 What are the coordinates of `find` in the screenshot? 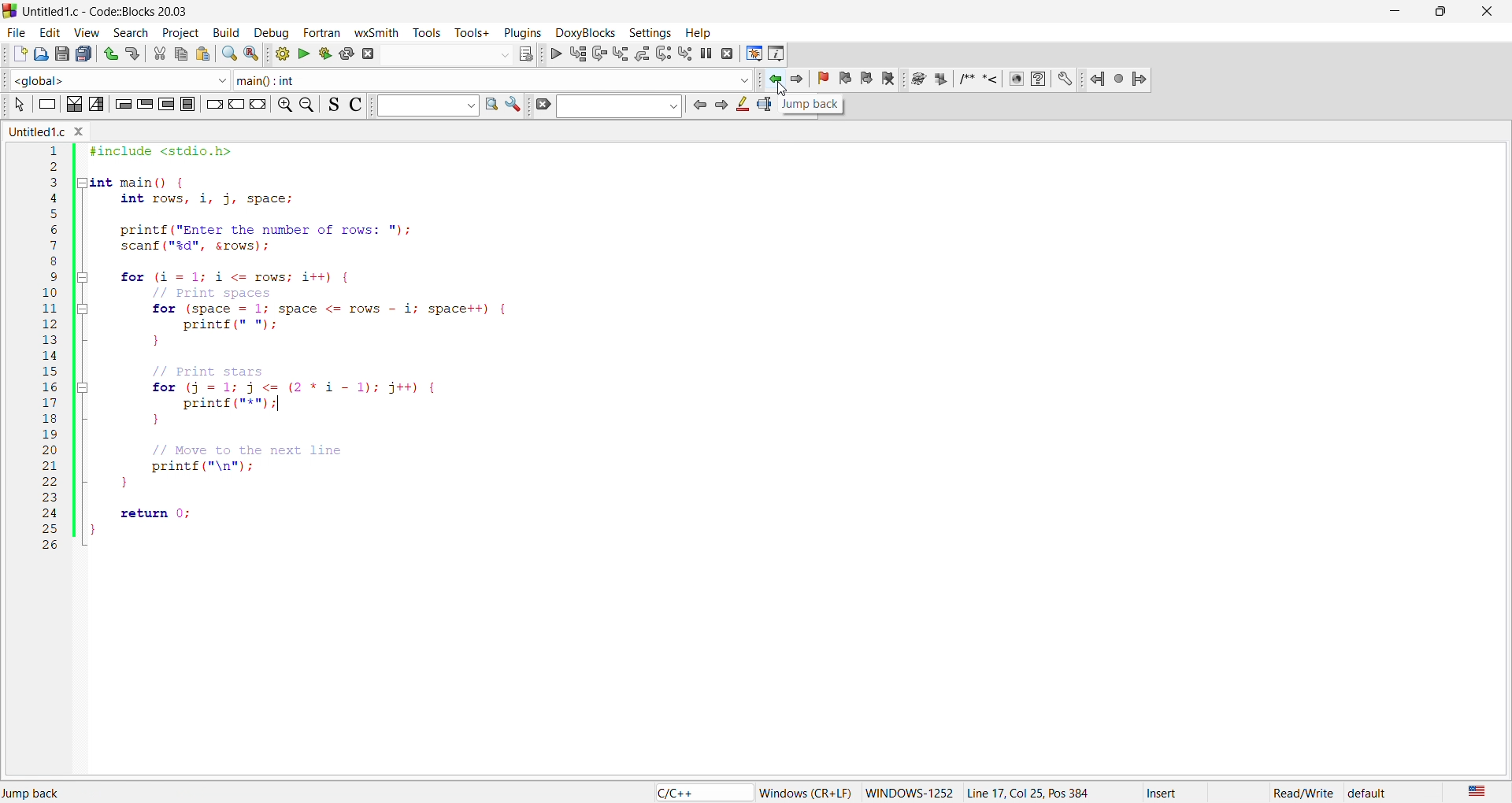 It's located at (488, 106).